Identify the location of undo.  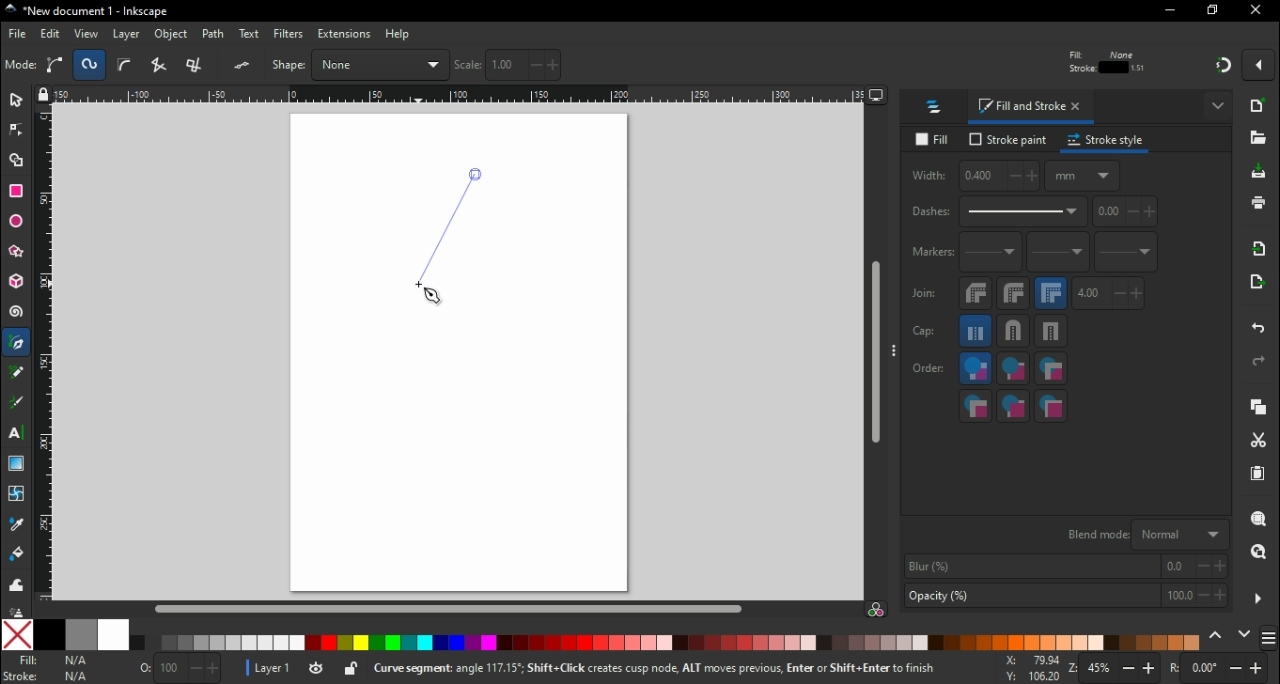
(1256, 332).